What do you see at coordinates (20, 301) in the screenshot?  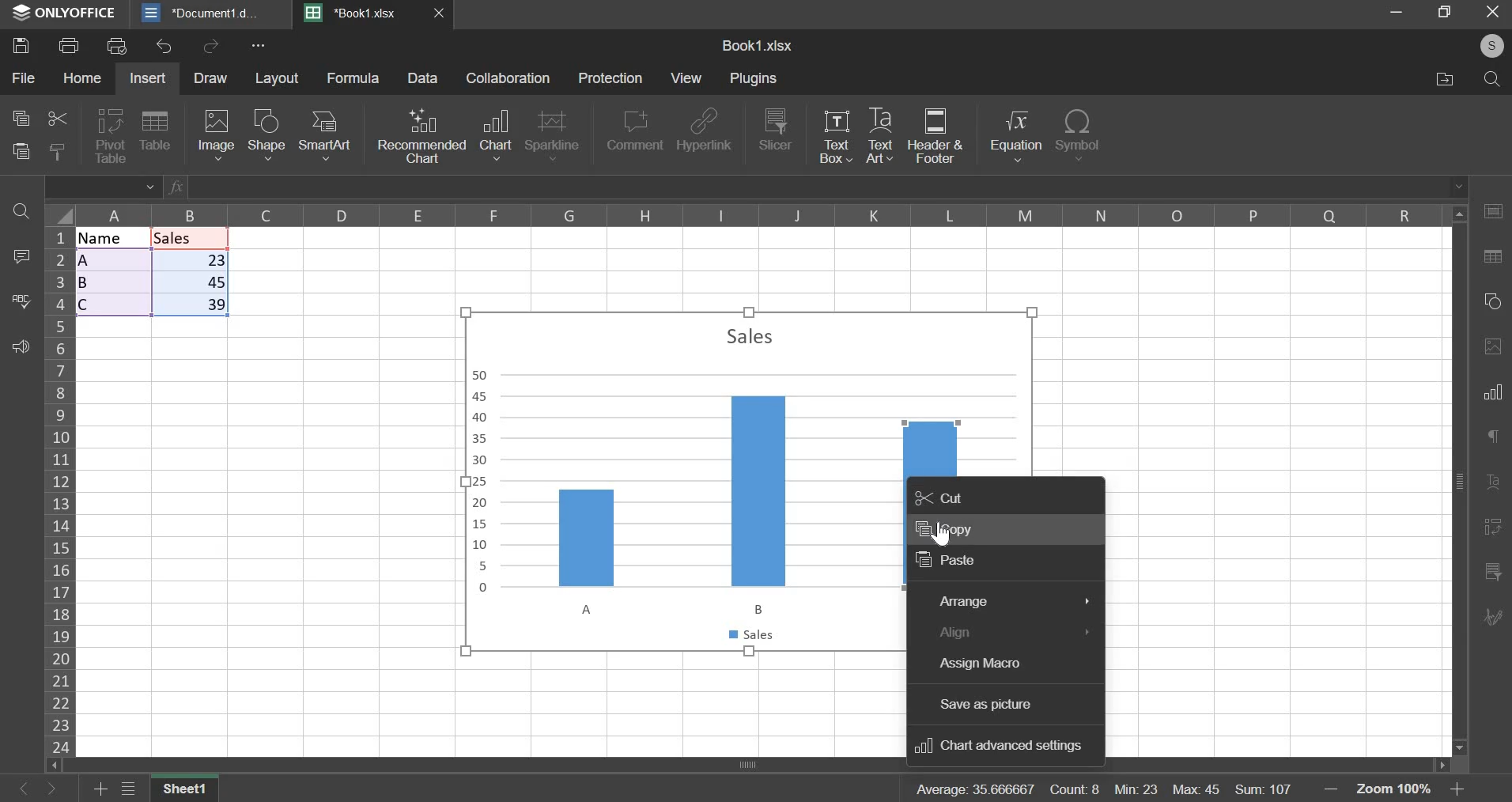 I see `spelling` at bounding box center [20, 301].